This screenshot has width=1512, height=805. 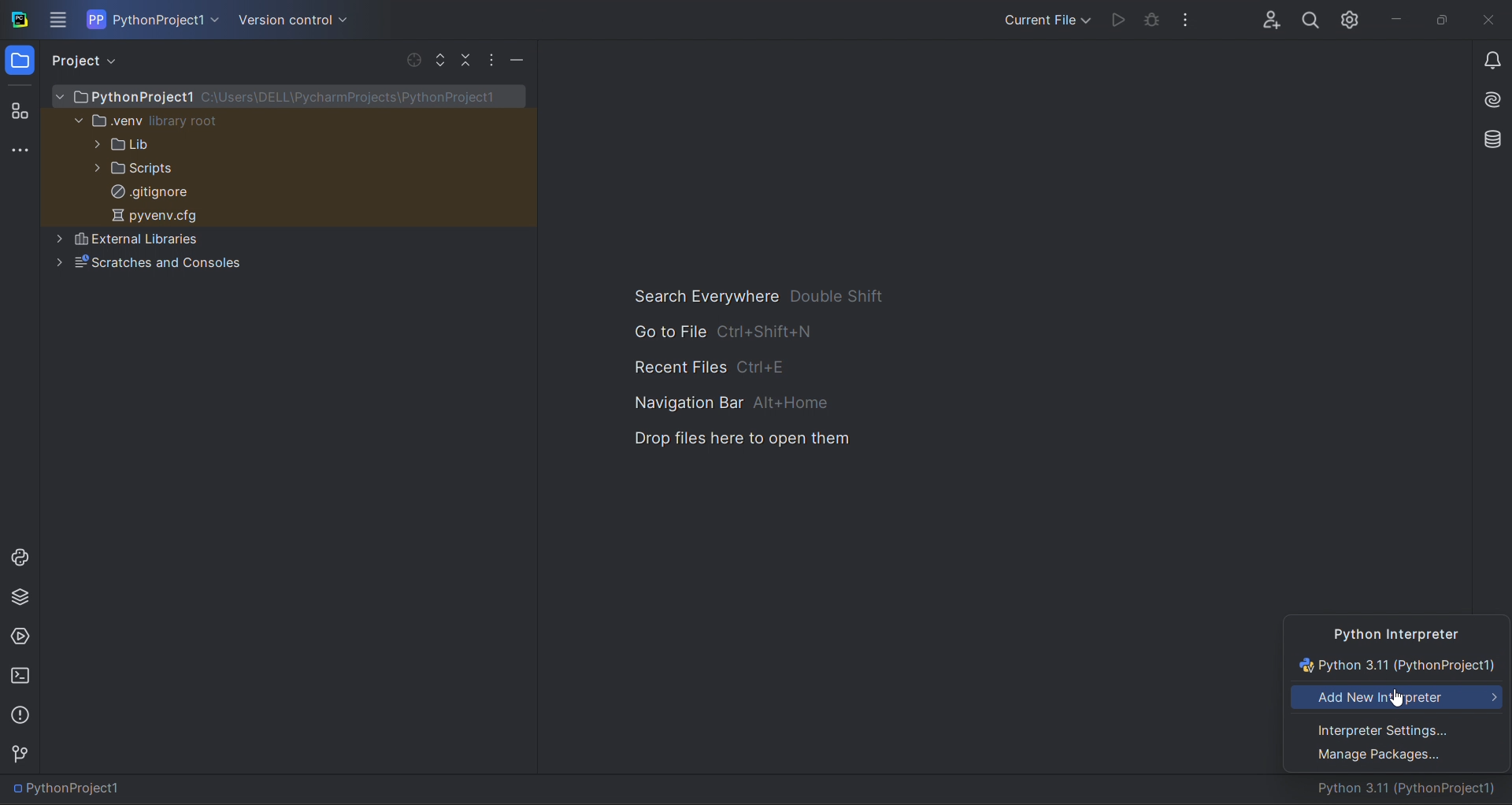 What do you see at coordinates (410, 58) in the screenshot?
I see `select file` at bounding box center [410, 58].